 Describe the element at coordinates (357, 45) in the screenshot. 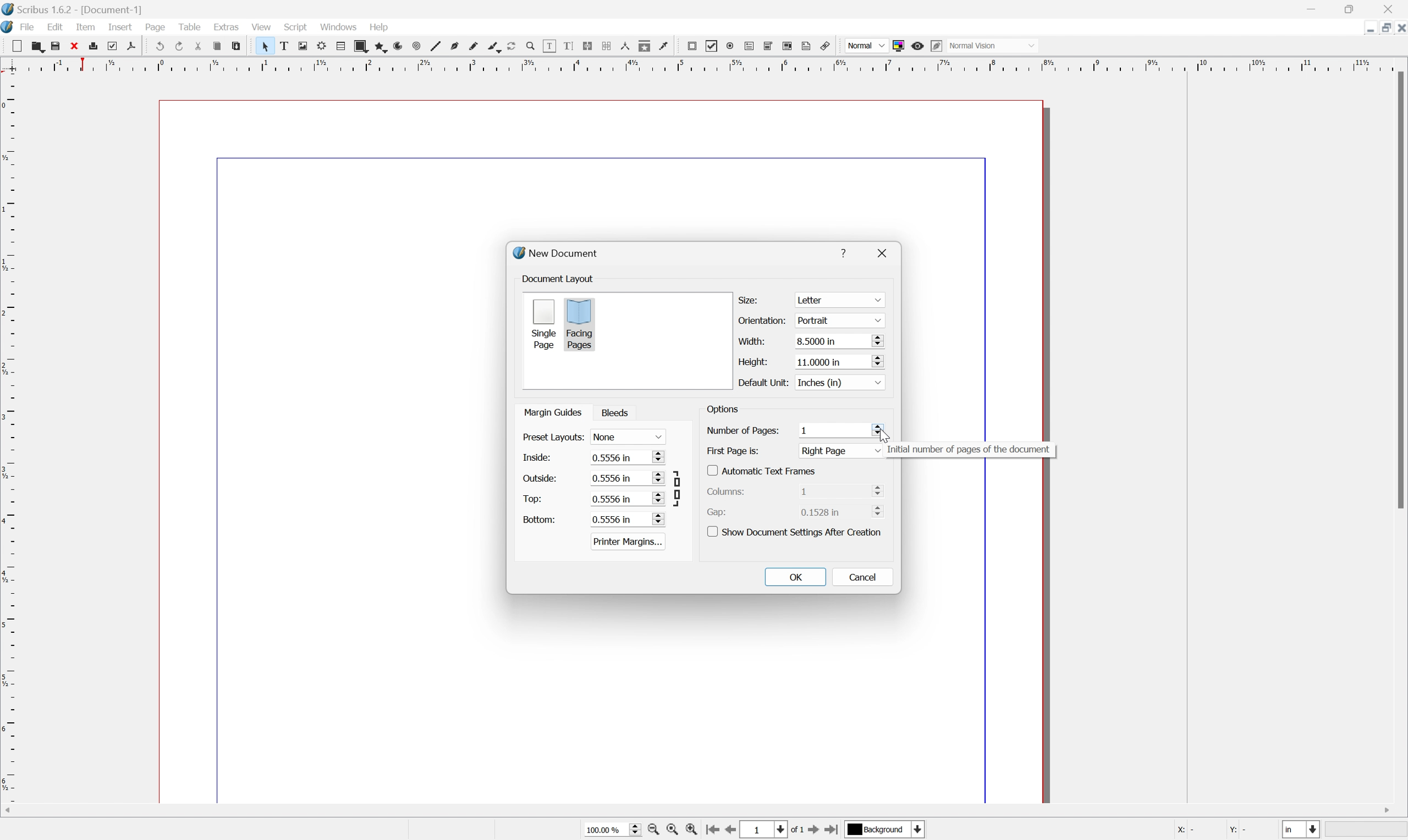

I see `Shape` at that location.